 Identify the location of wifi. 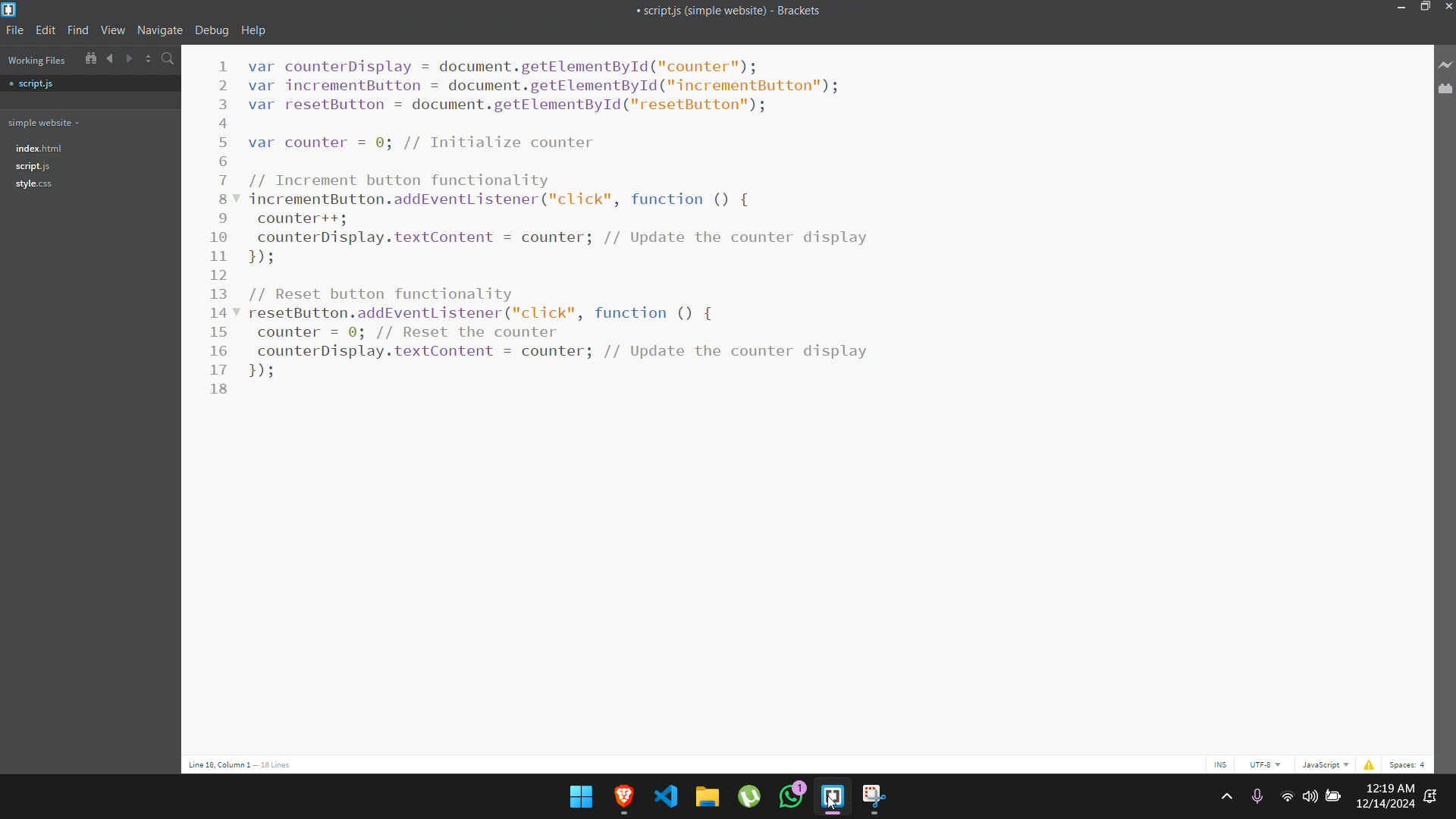
(1285, 797).